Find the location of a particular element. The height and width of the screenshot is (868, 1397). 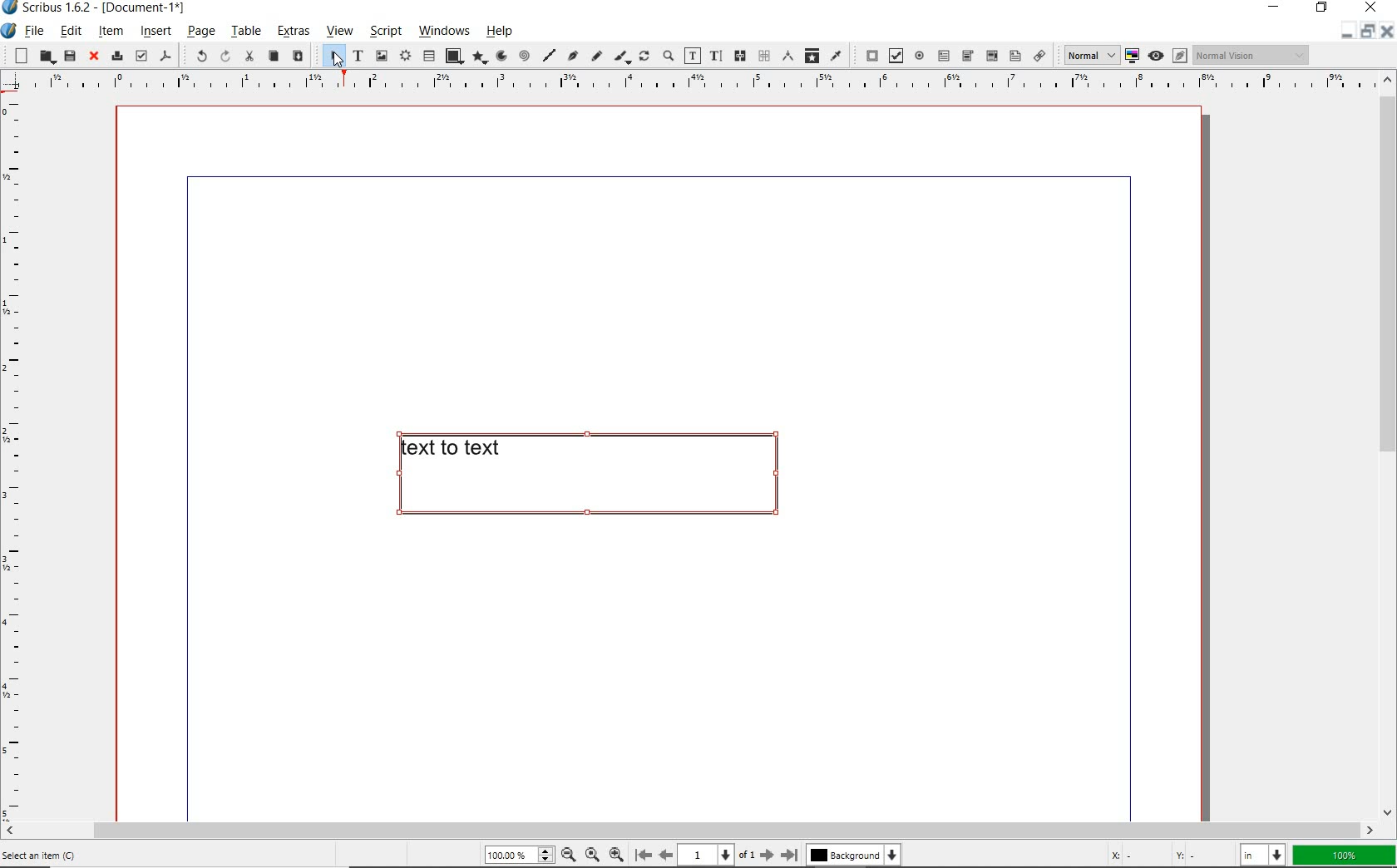

Preview mode is located at coordinates (1155, 55).